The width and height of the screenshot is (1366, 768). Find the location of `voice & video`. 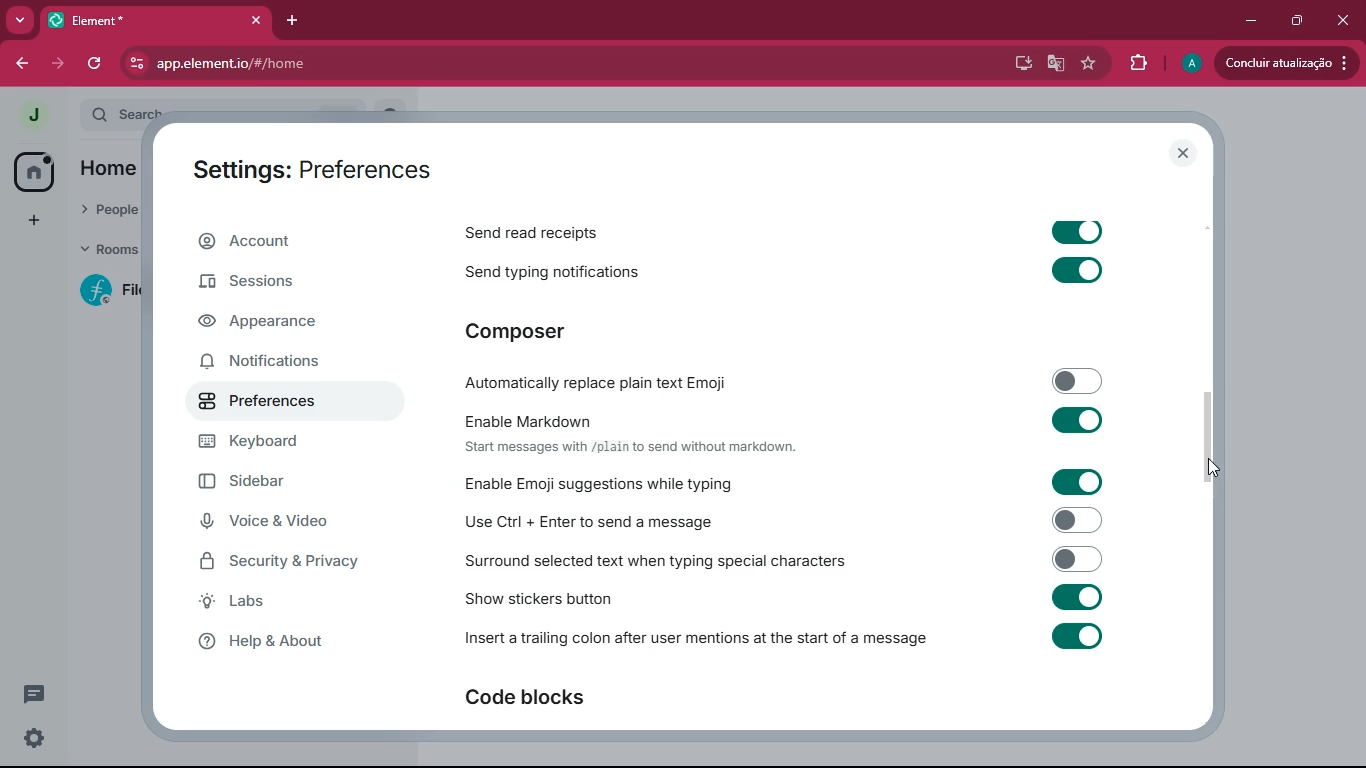

voice & video is located at coordinates (276, 523).